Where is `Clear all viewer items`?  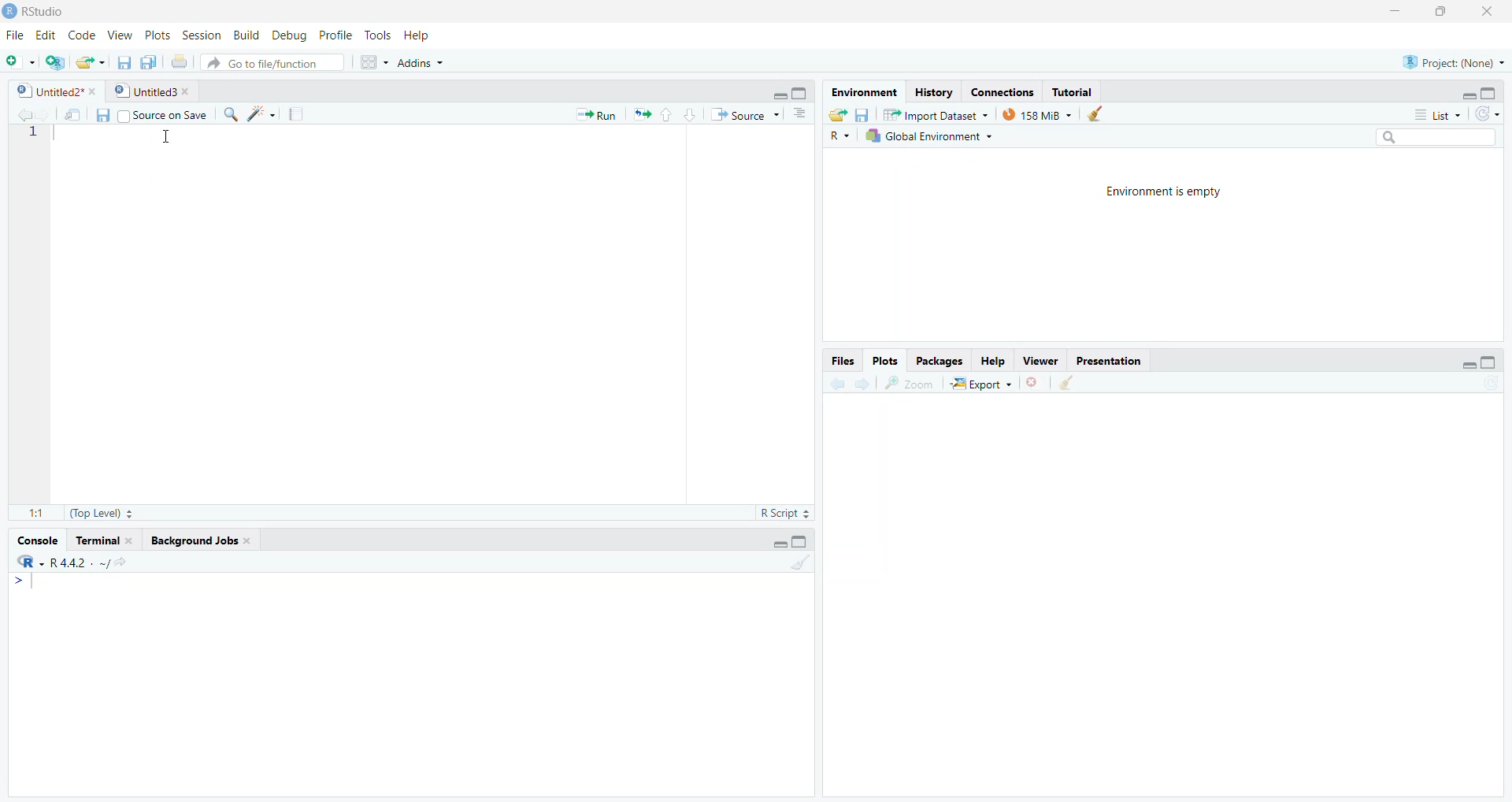
Clear all viewer items is located at coordinates (1075, 385).